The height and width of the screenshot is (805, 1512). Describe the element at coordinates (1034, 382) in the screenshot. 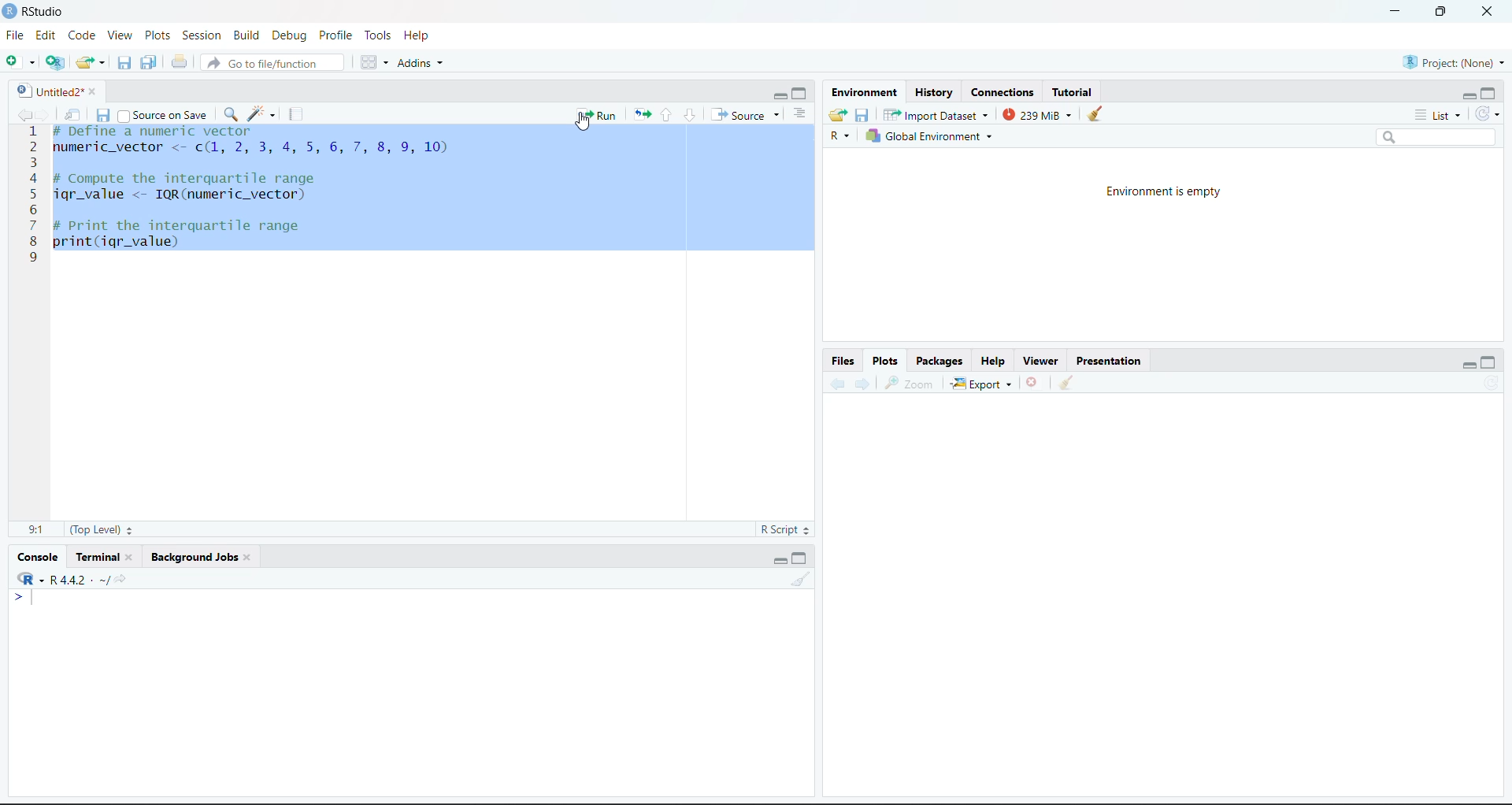

I see `Close` at that location.